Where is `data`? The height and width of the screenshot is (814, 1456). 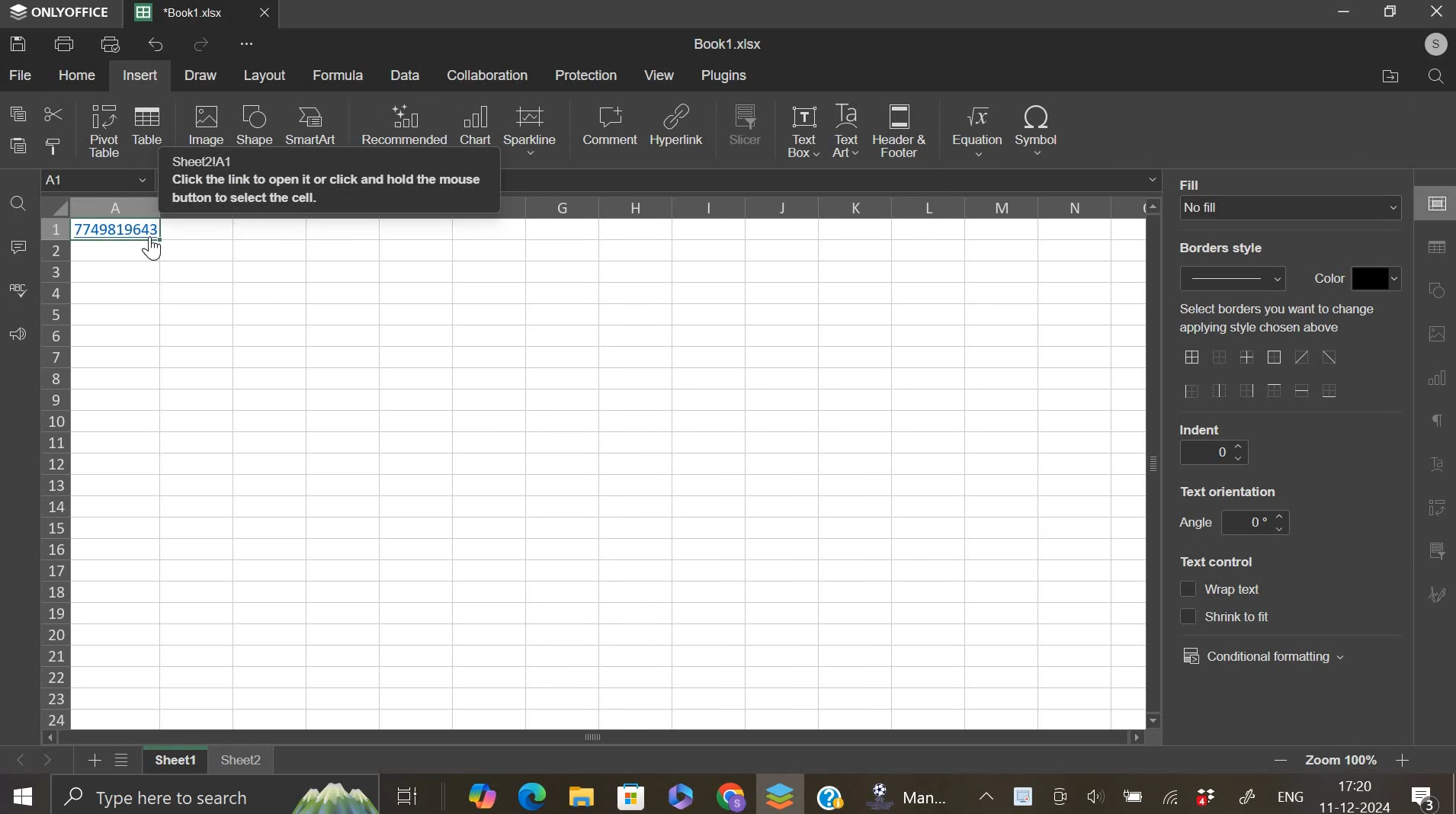
data is located at coordinates (118, 232).